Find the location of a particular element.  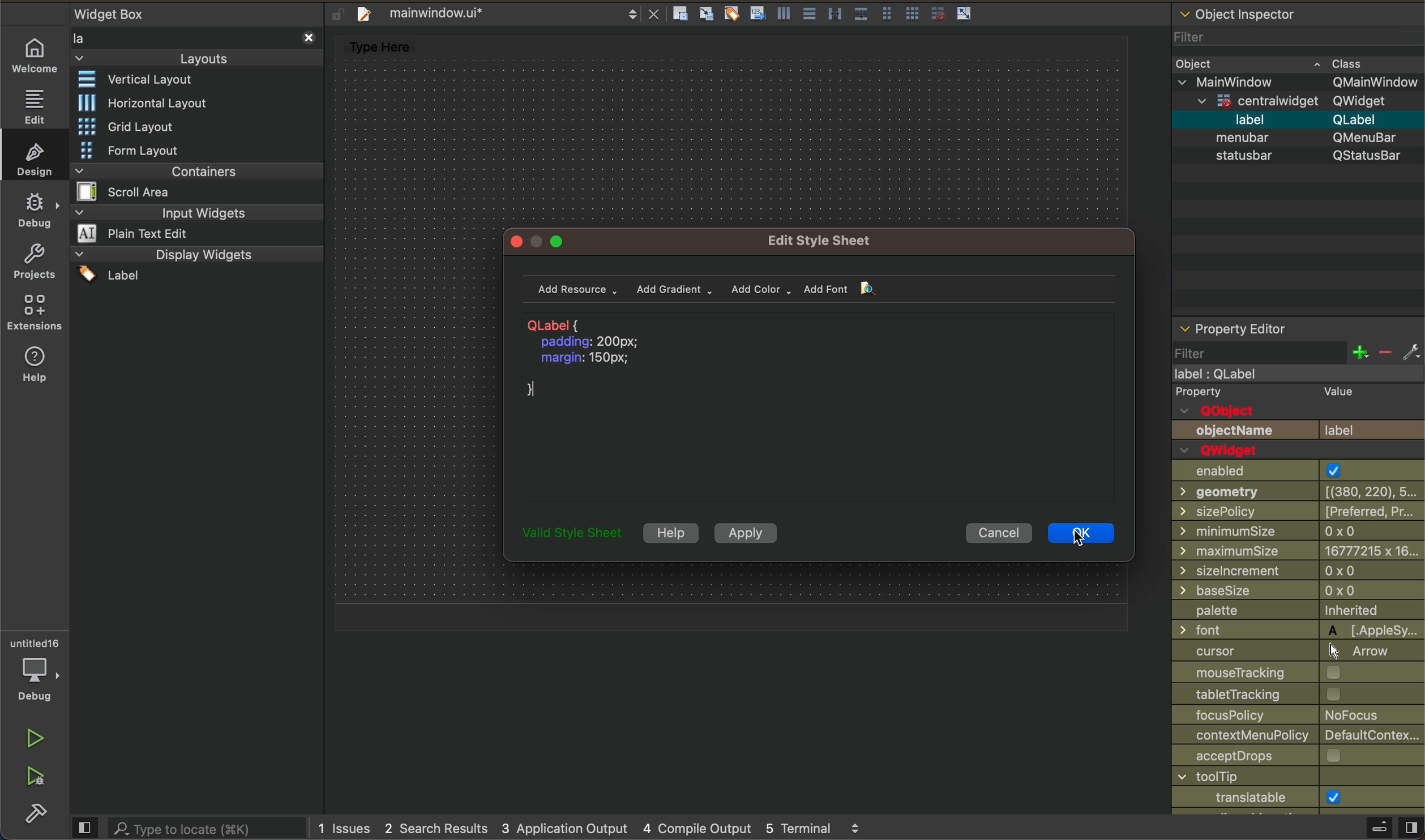

welcome is located at coordinates (36, 59).